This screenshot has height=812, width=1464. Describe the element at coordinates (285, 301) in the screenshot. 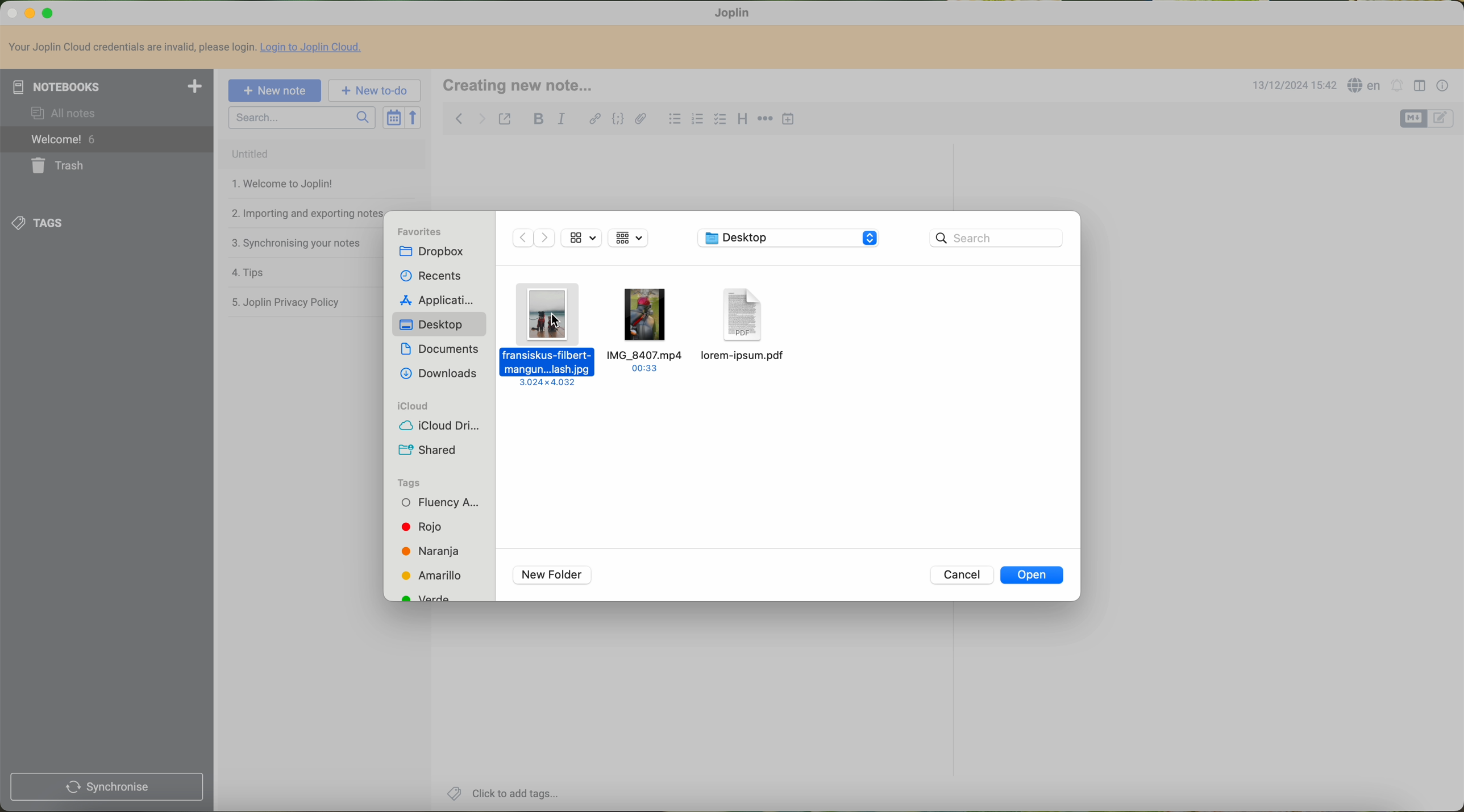

I see `Joplin privacy policy` at that location.